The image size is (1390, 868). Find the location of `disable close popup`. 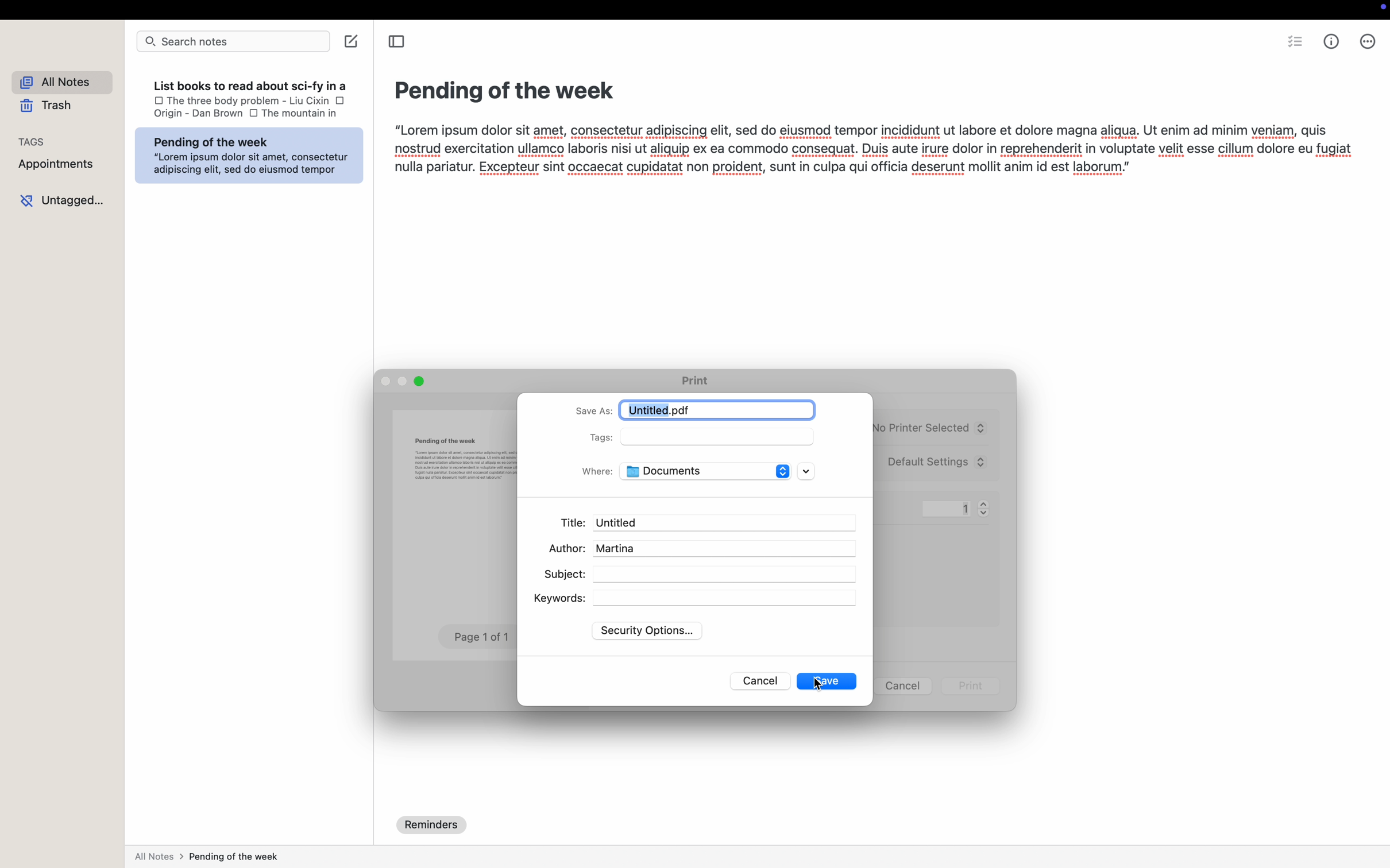

disable close popup is located at coordinates (387, 381).